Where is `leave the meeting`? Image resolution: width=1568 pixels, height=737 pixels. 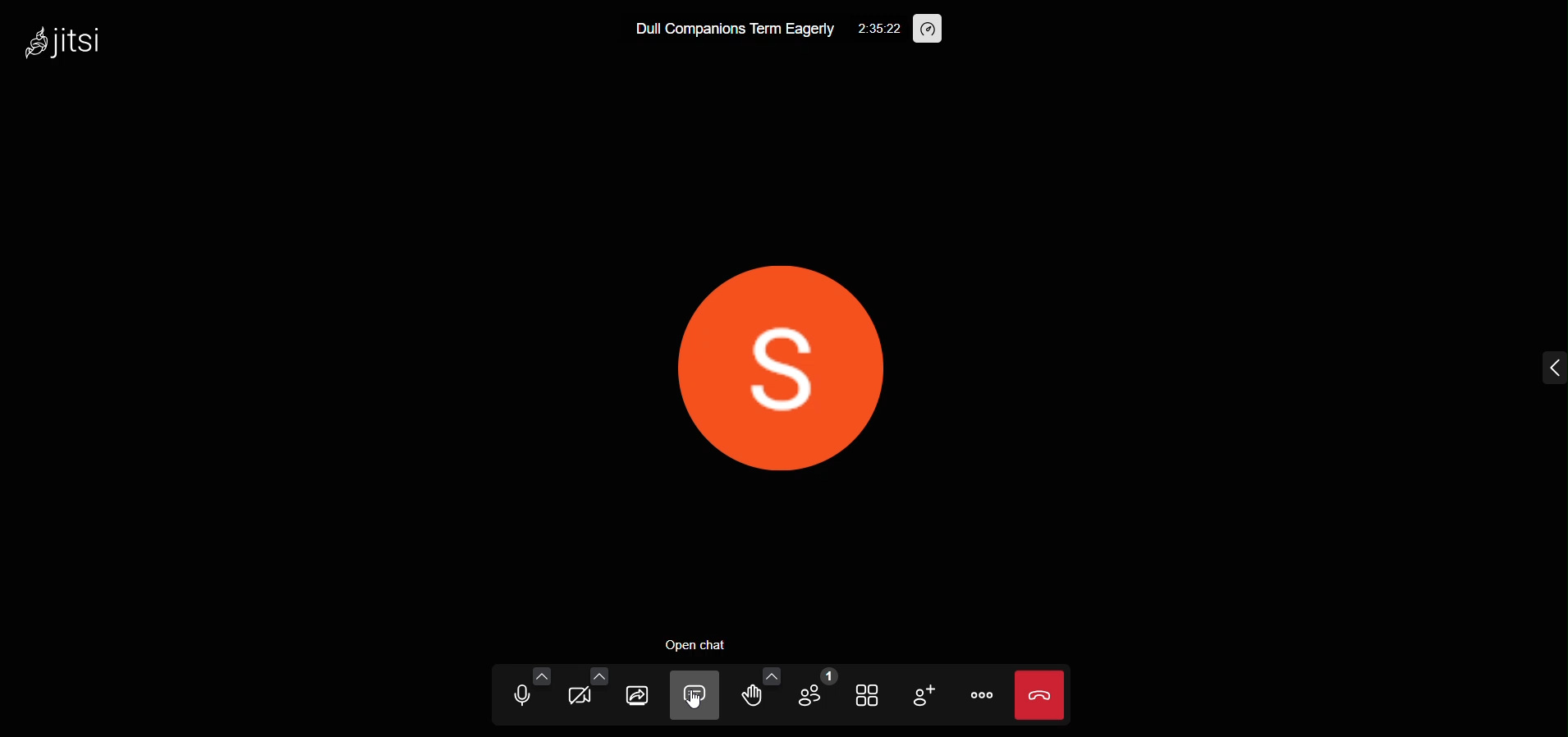 leave the meeting is located at coordinates (1042, 692).